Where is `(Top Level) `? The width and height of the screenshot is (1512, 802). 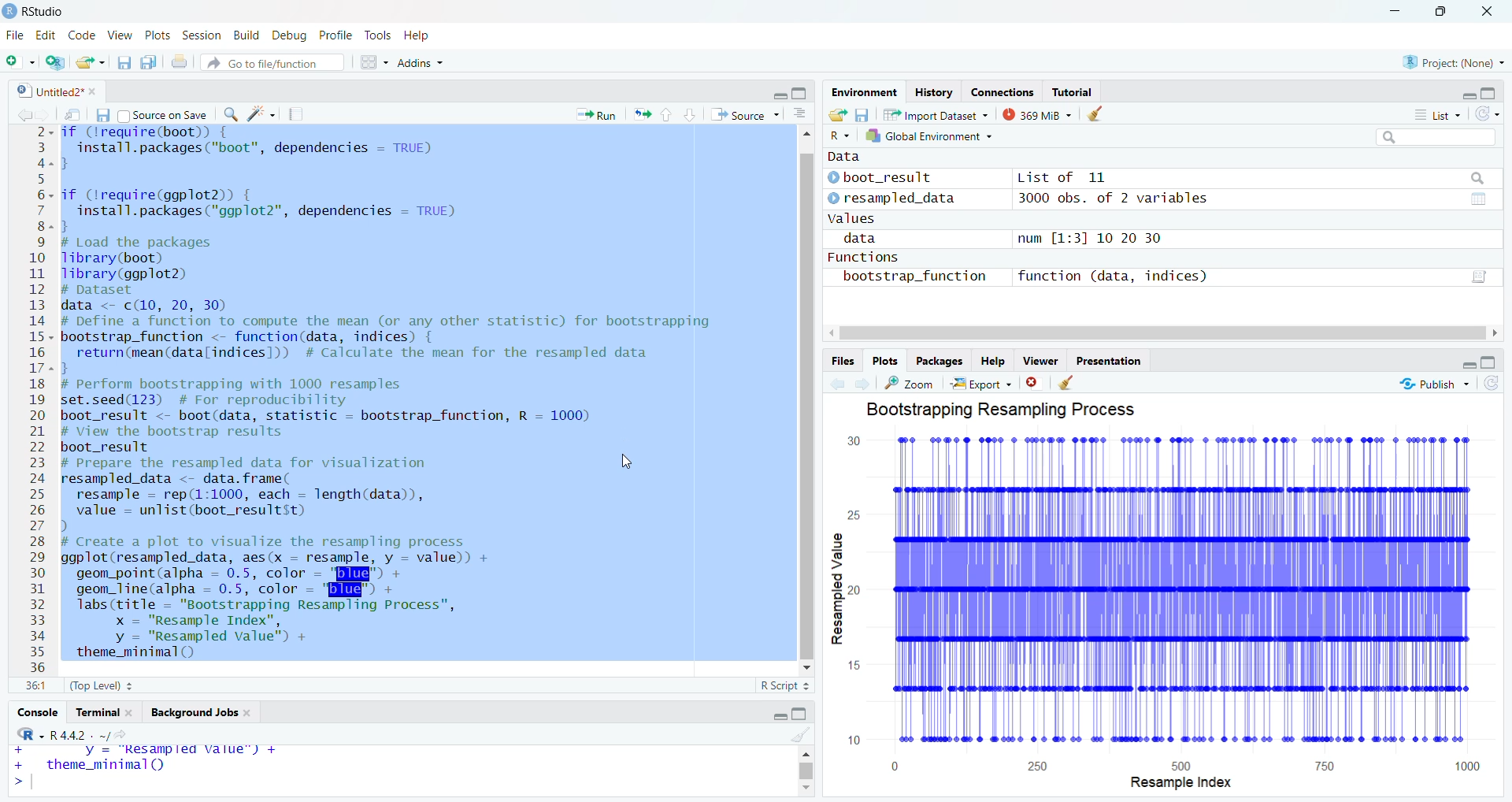
(Top Level)  is located at coordinates (102, 686).